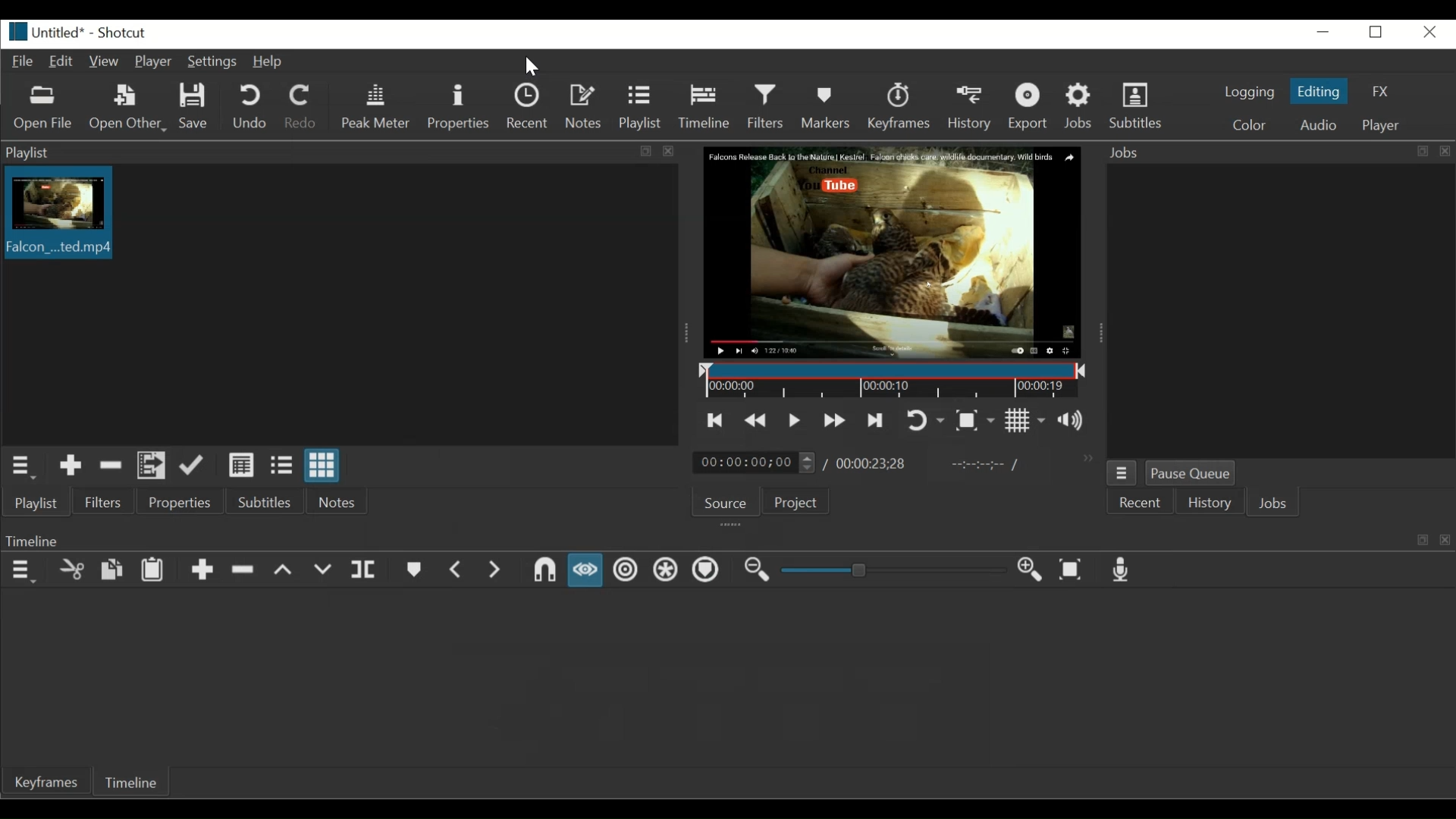 This screenshot has height=819, width=1456. Describe the element at coordinates (494, 571) in the screenshot. I see `Next Marker` at that location.